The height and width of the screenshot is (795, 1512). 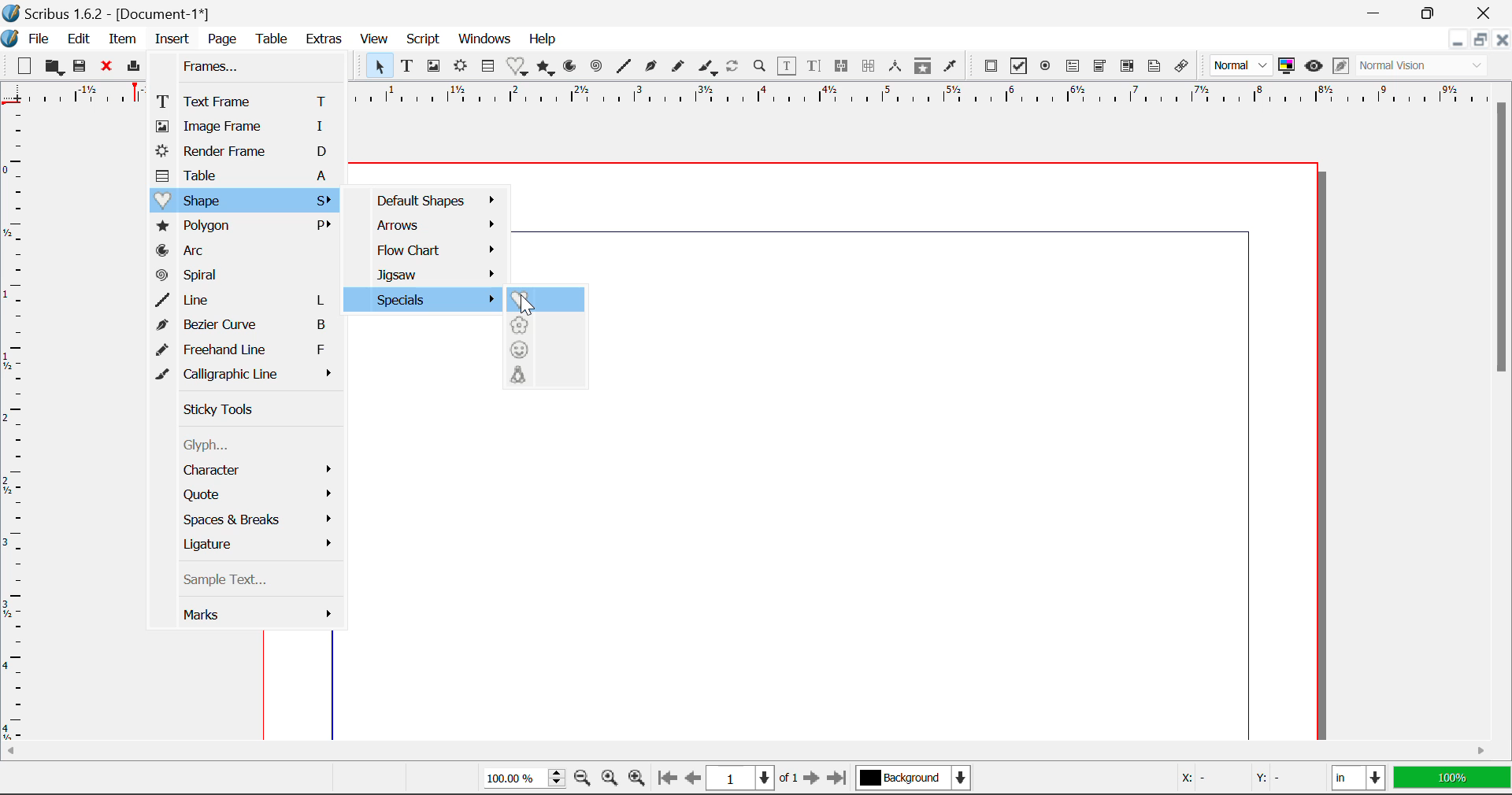 I want to click on Pdf Push Button, so click(x=991, y=66).